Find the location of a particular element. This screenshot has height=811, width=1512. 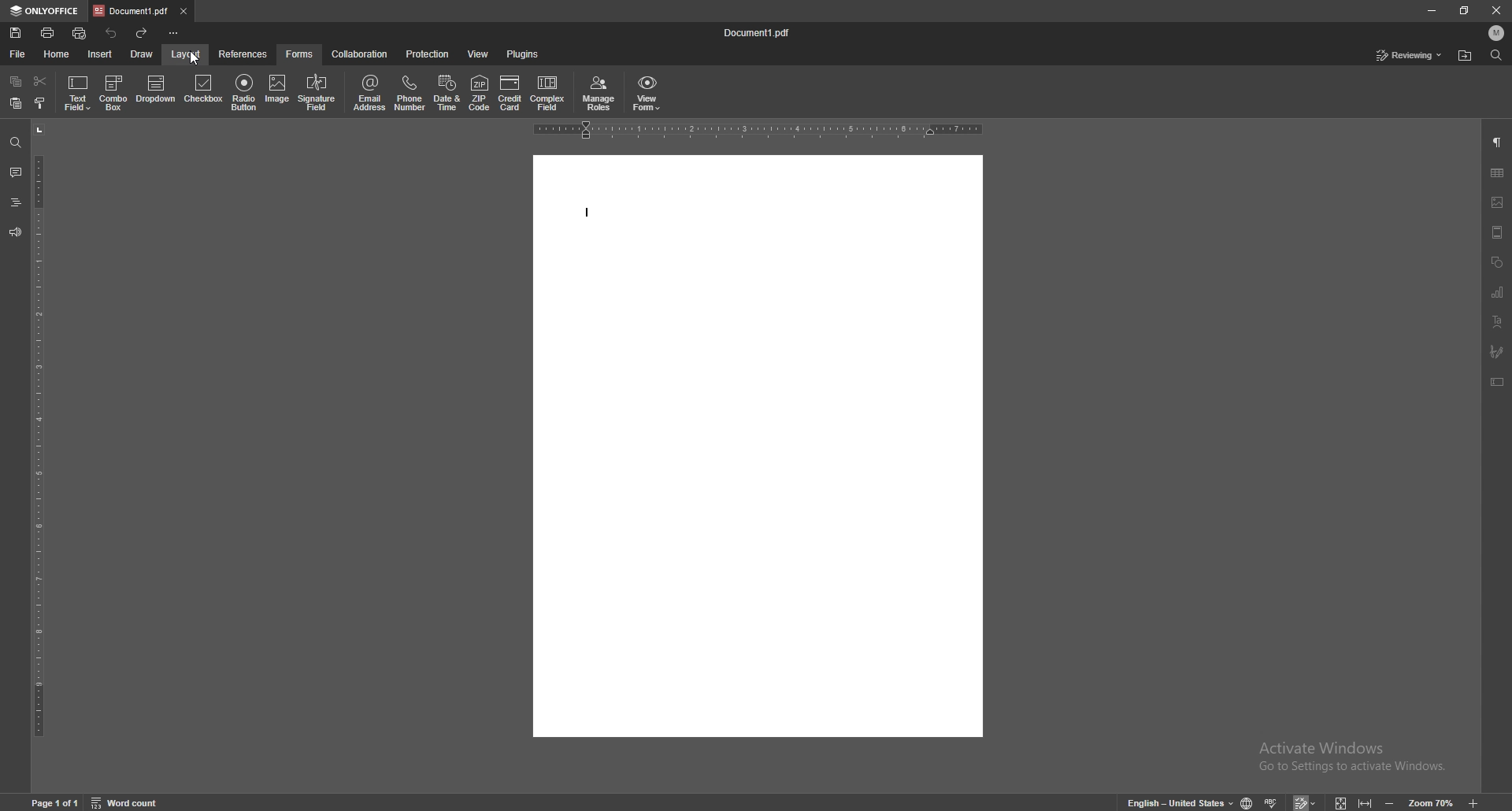

fit to width is located at coordinates (1366, 803).